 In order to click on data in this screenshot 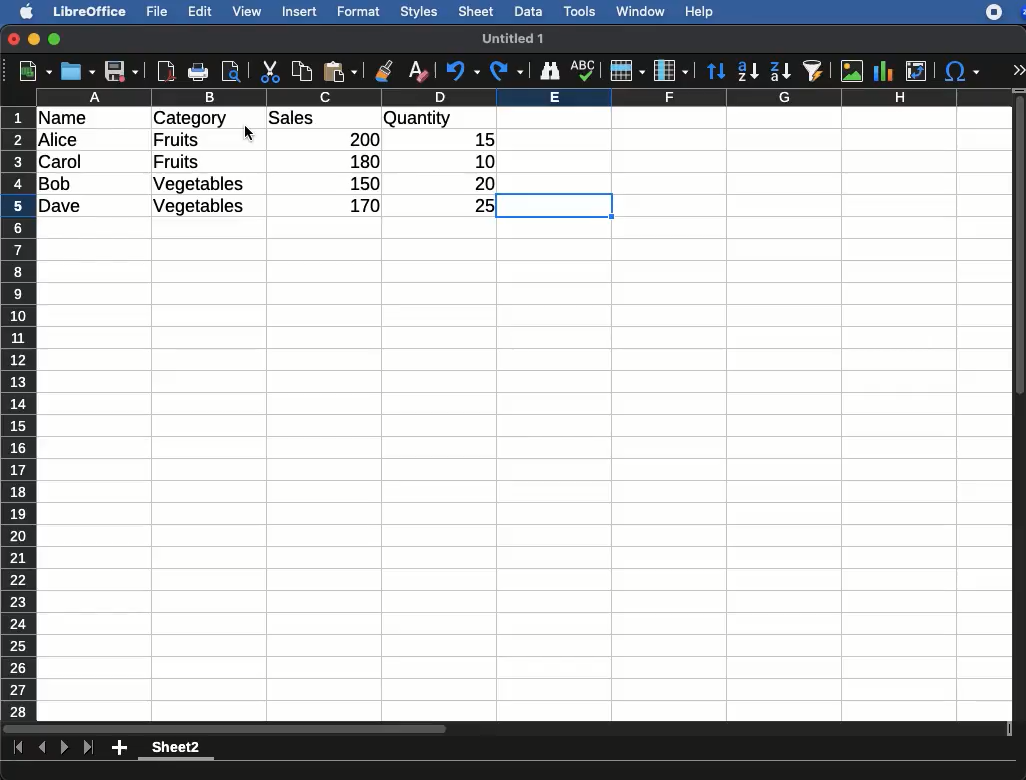, I will do `click(528, 9)`.